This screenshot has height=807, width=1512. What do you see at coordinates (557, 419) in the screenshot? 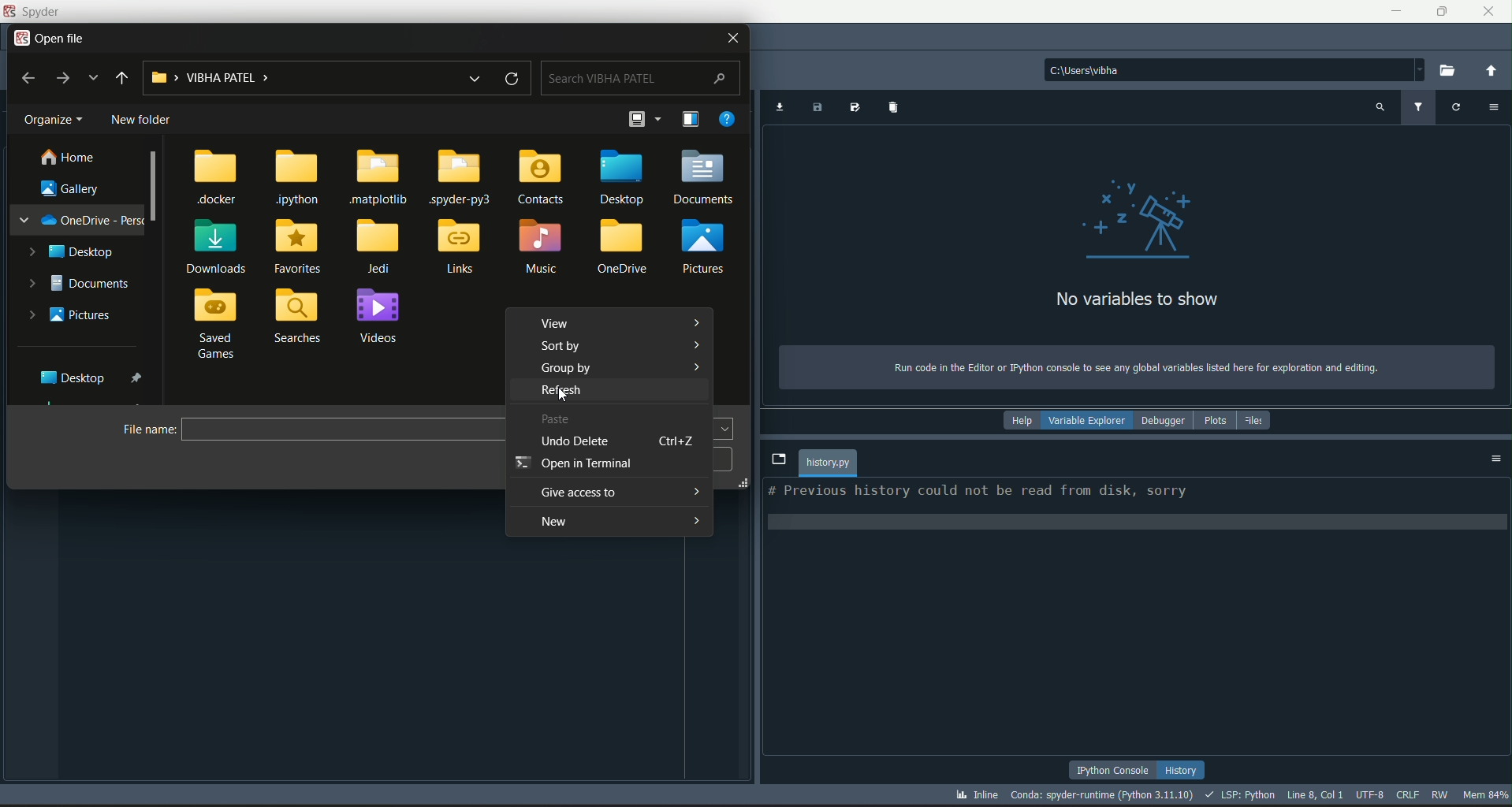
I see `paste` at bounding box center [557, 419].